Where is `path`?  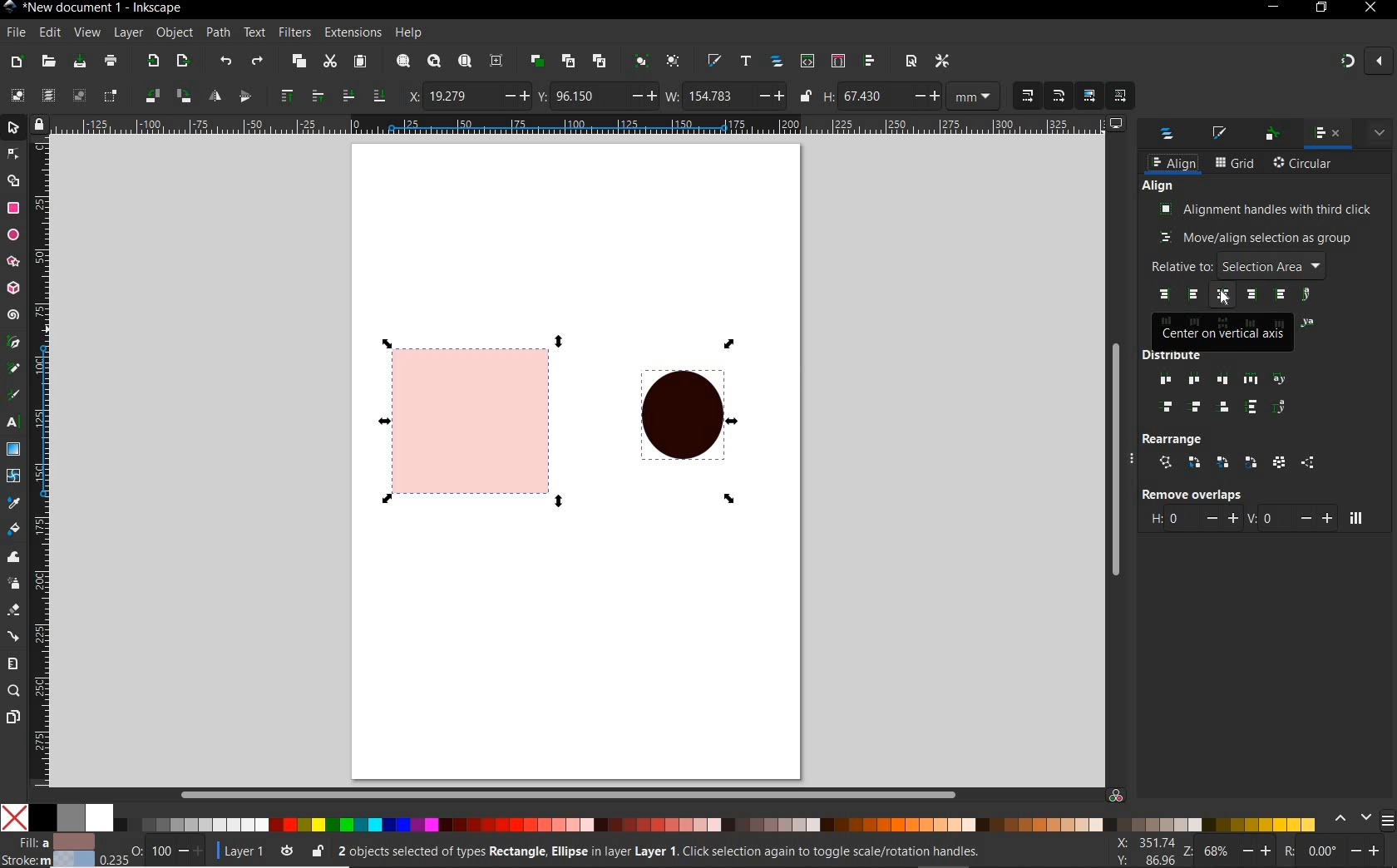
path is located at coordinates (218, 33).